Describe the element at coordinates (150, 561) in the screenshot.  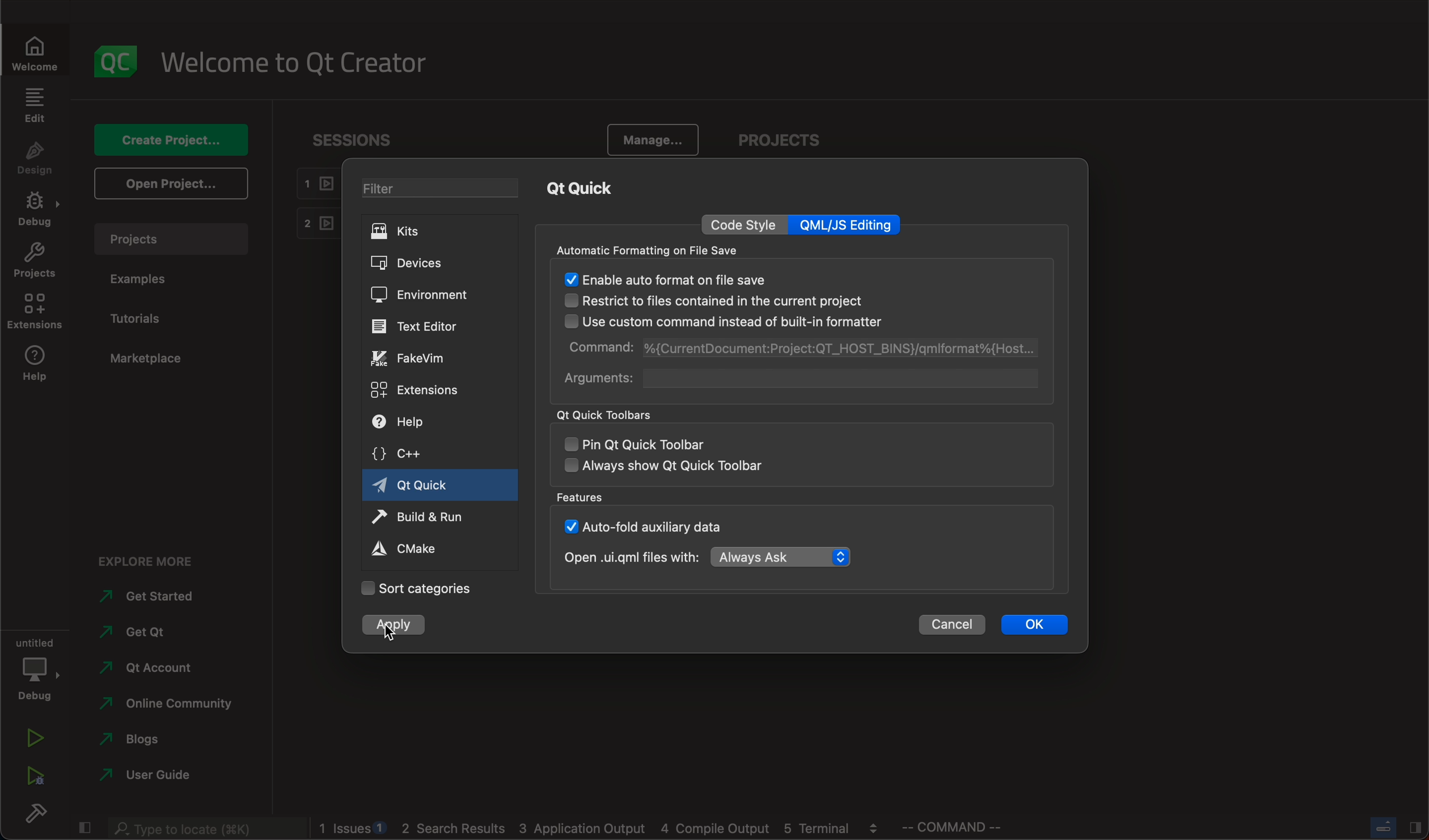
I see `explore` at that location.